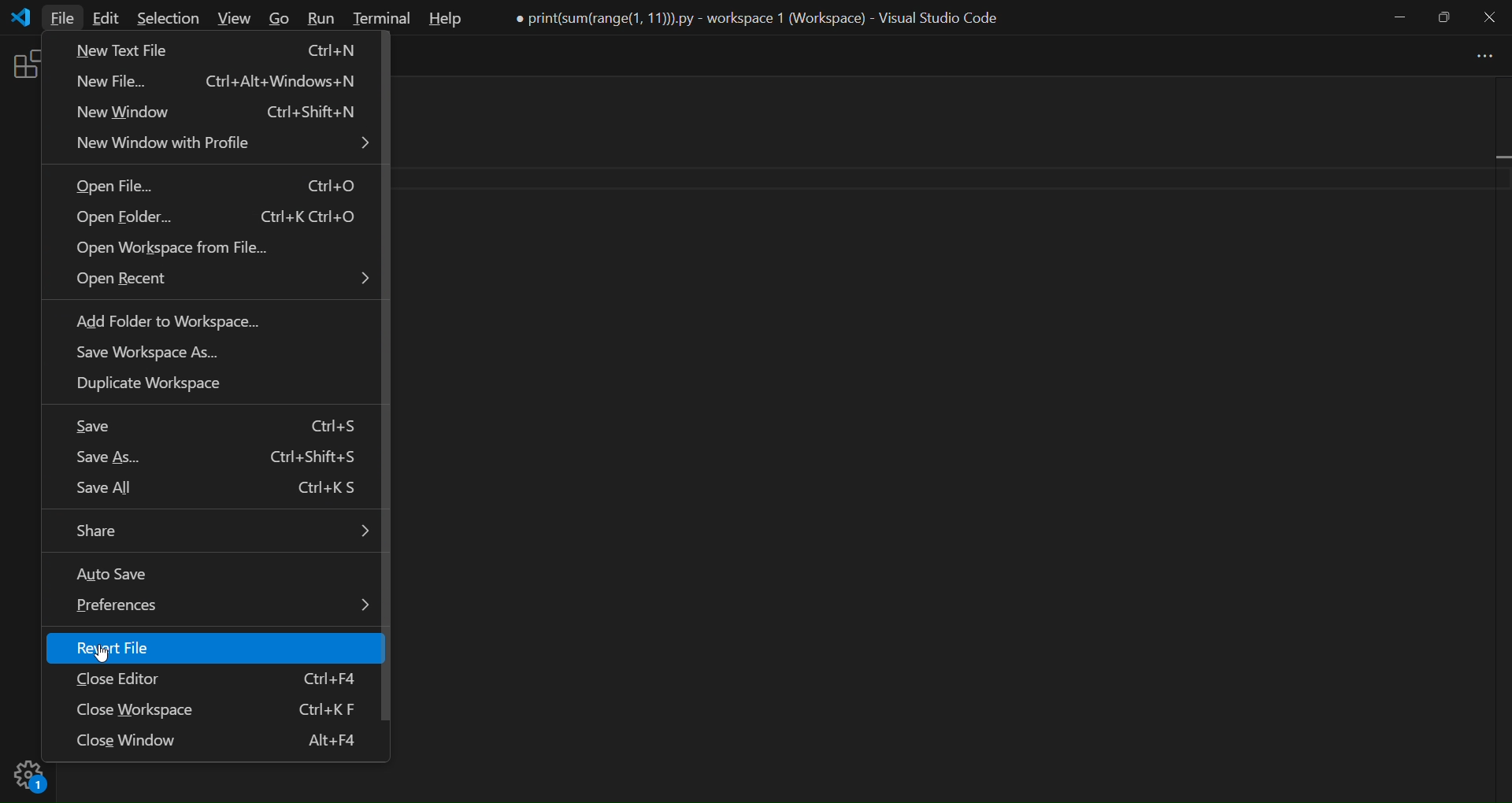 Image resolution: width=1512 pixels, height=803 pixels. I want to click on auto save, so click(135, 574).